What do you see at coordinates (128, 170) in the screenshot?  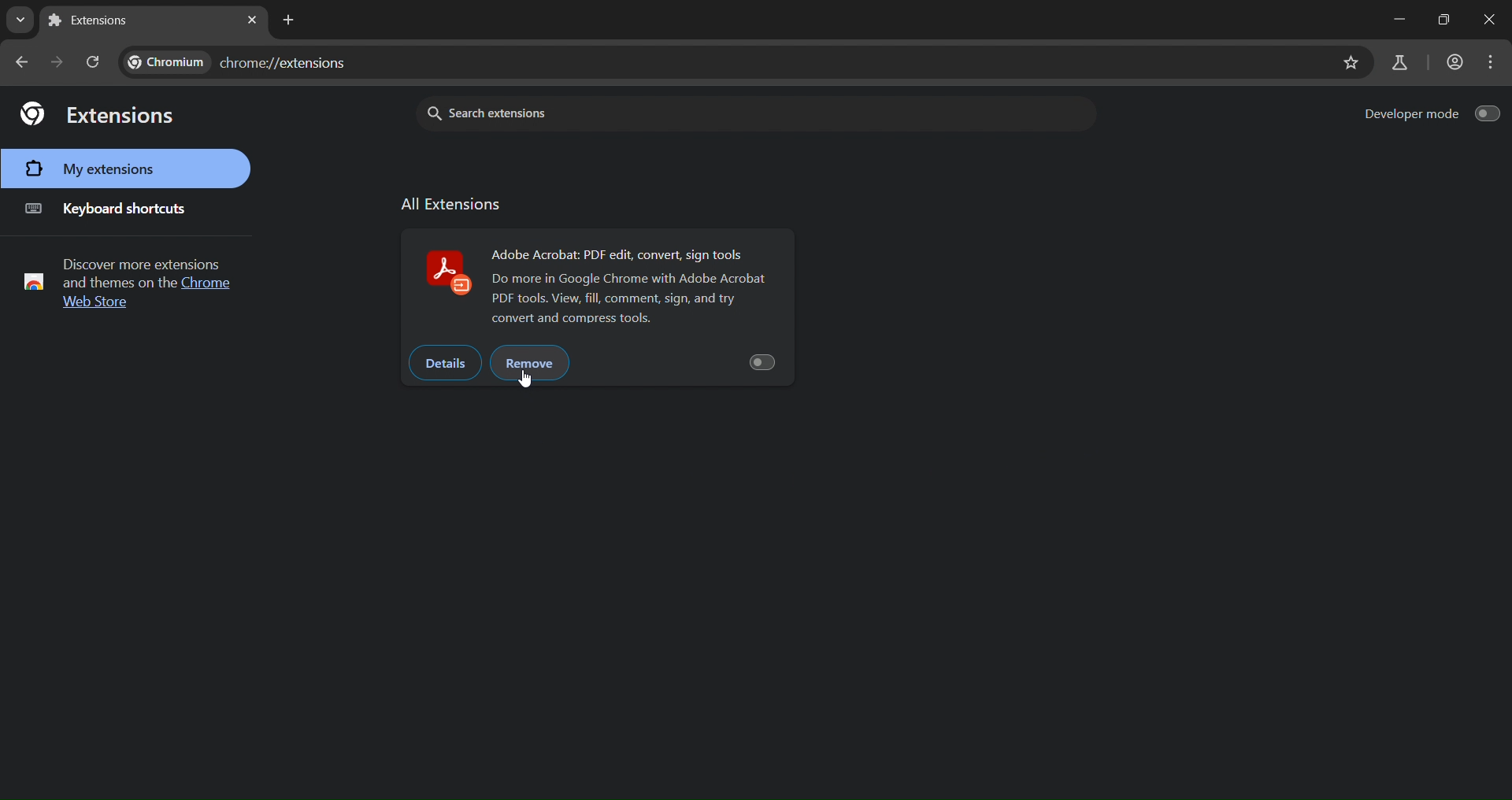 I see `my extensions` at bounding box center [128, 170].